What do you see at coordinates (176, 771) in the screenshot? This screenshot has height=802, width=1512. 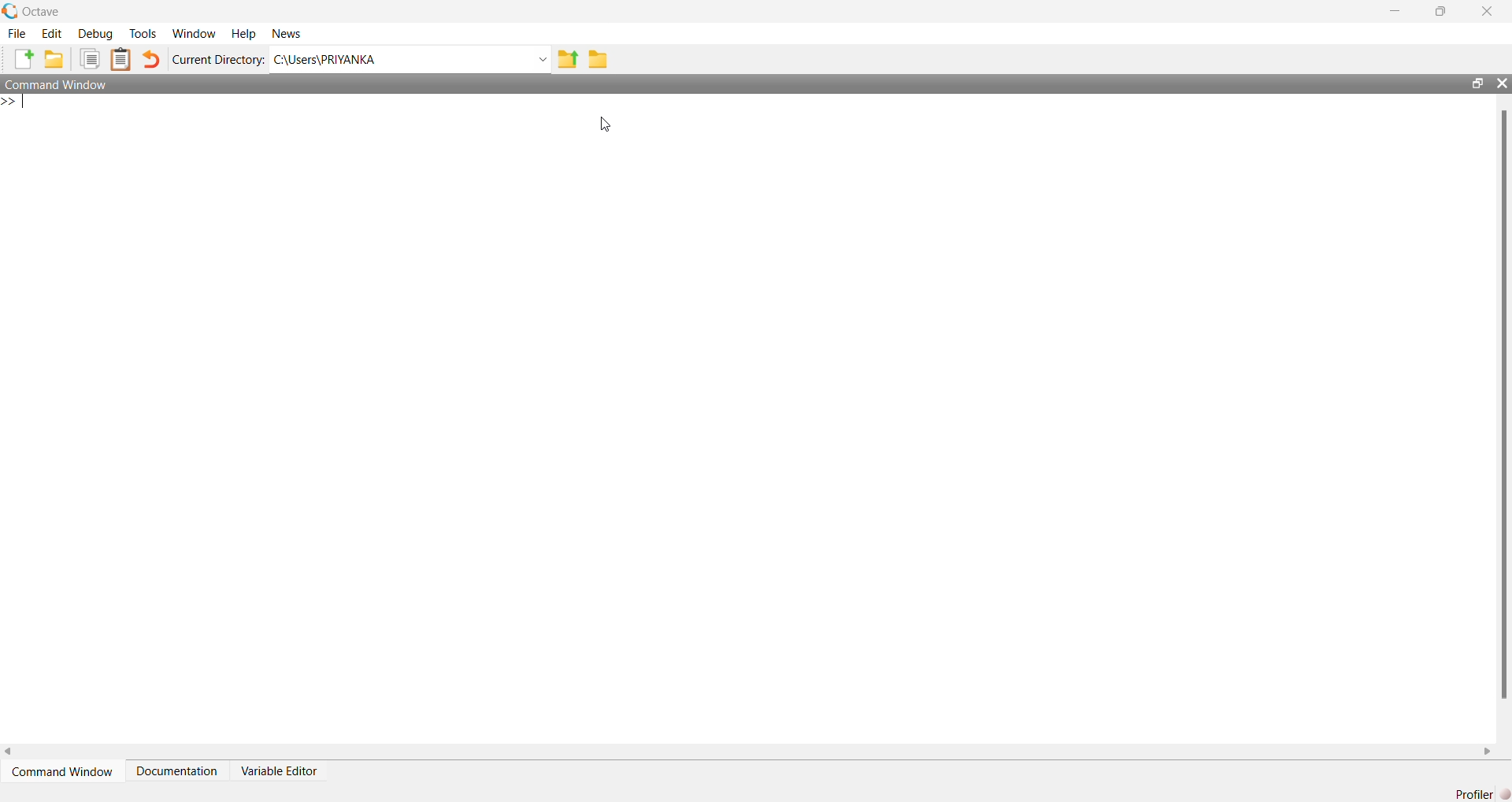 I see `Documentation` at bounding box center [176, 771].